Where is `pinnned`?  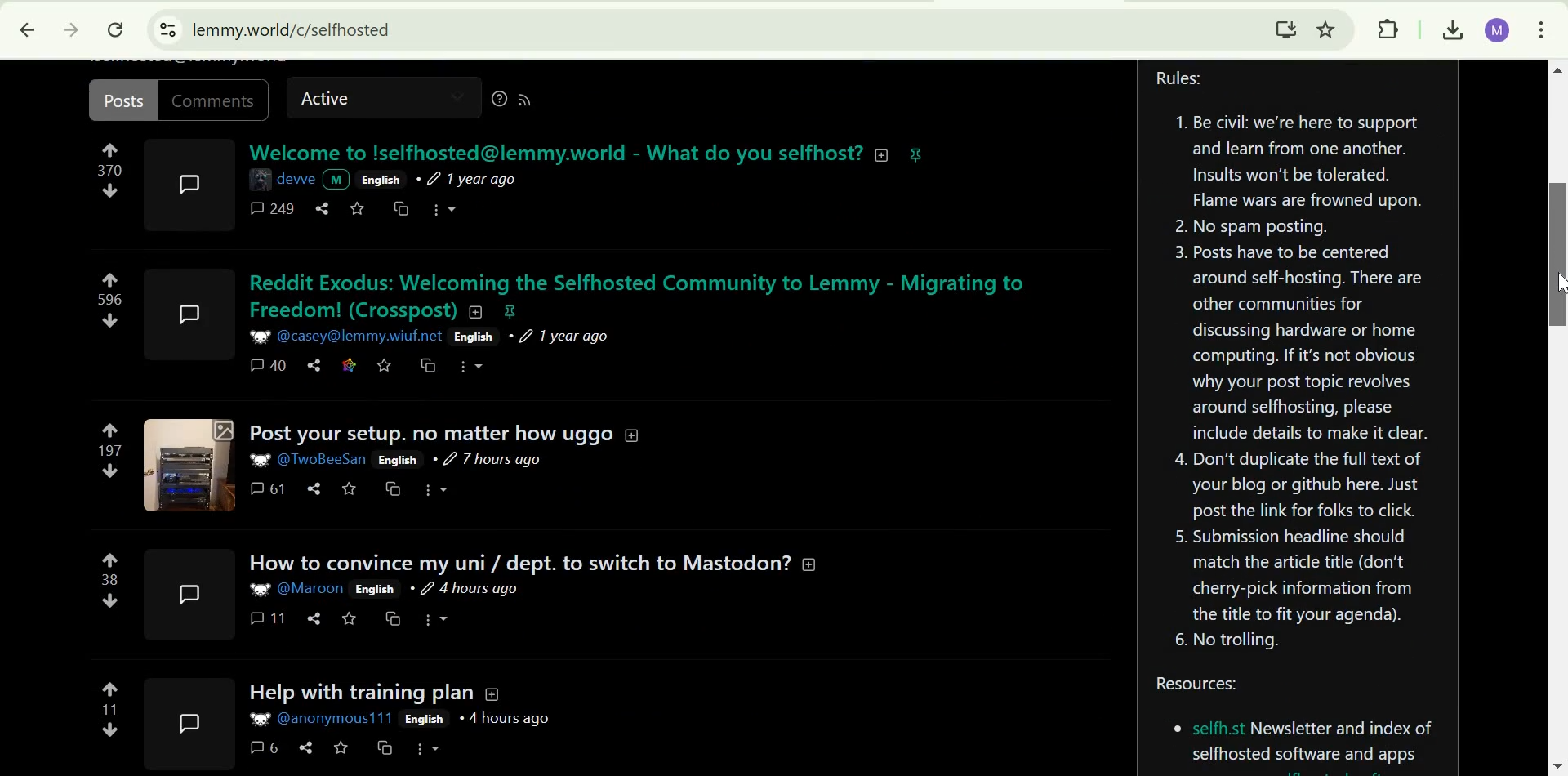
pinnned is located at coordinates (916, 154).